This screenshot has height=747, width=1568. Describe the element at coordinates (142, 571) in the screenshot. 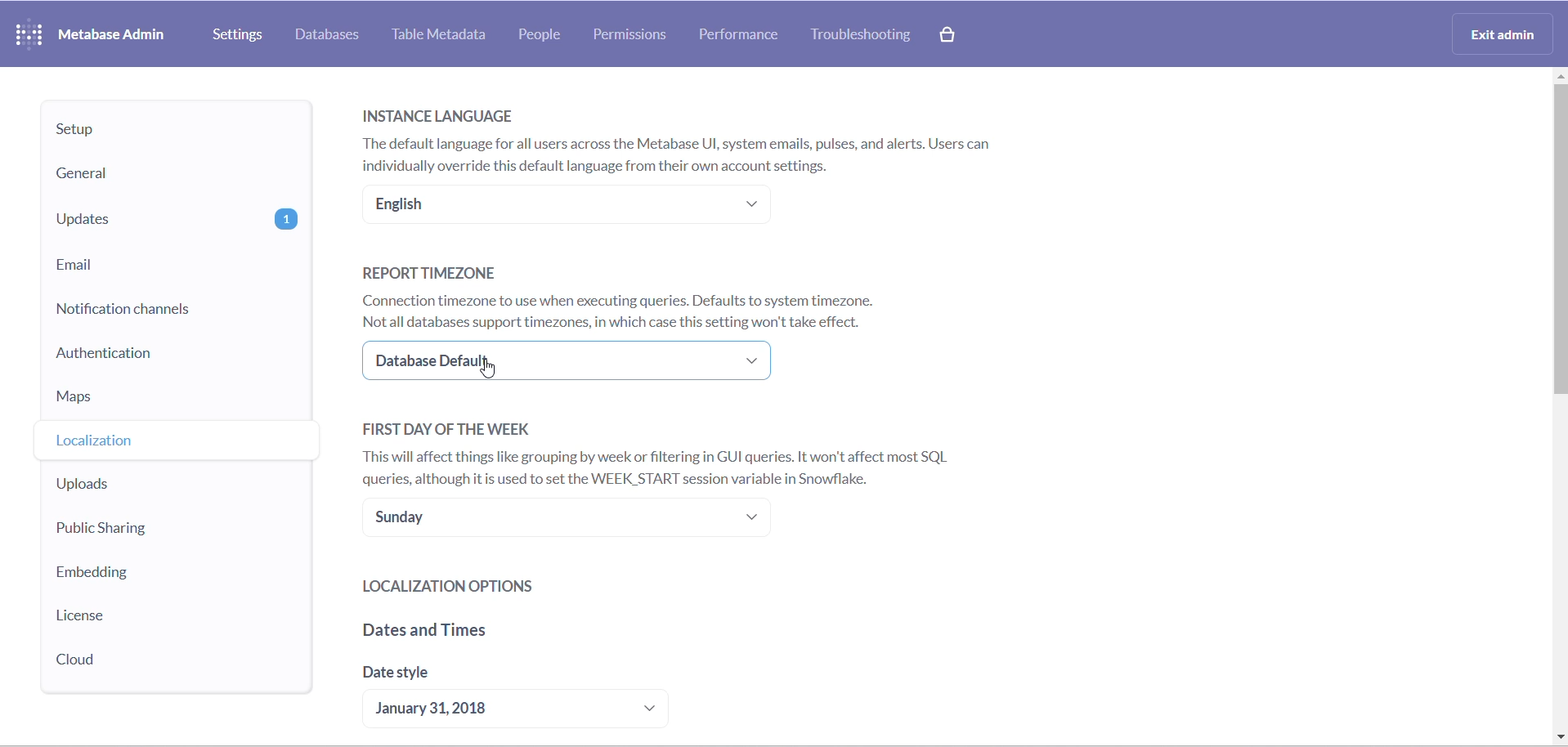

I see `EMBEDDDING` at that location.